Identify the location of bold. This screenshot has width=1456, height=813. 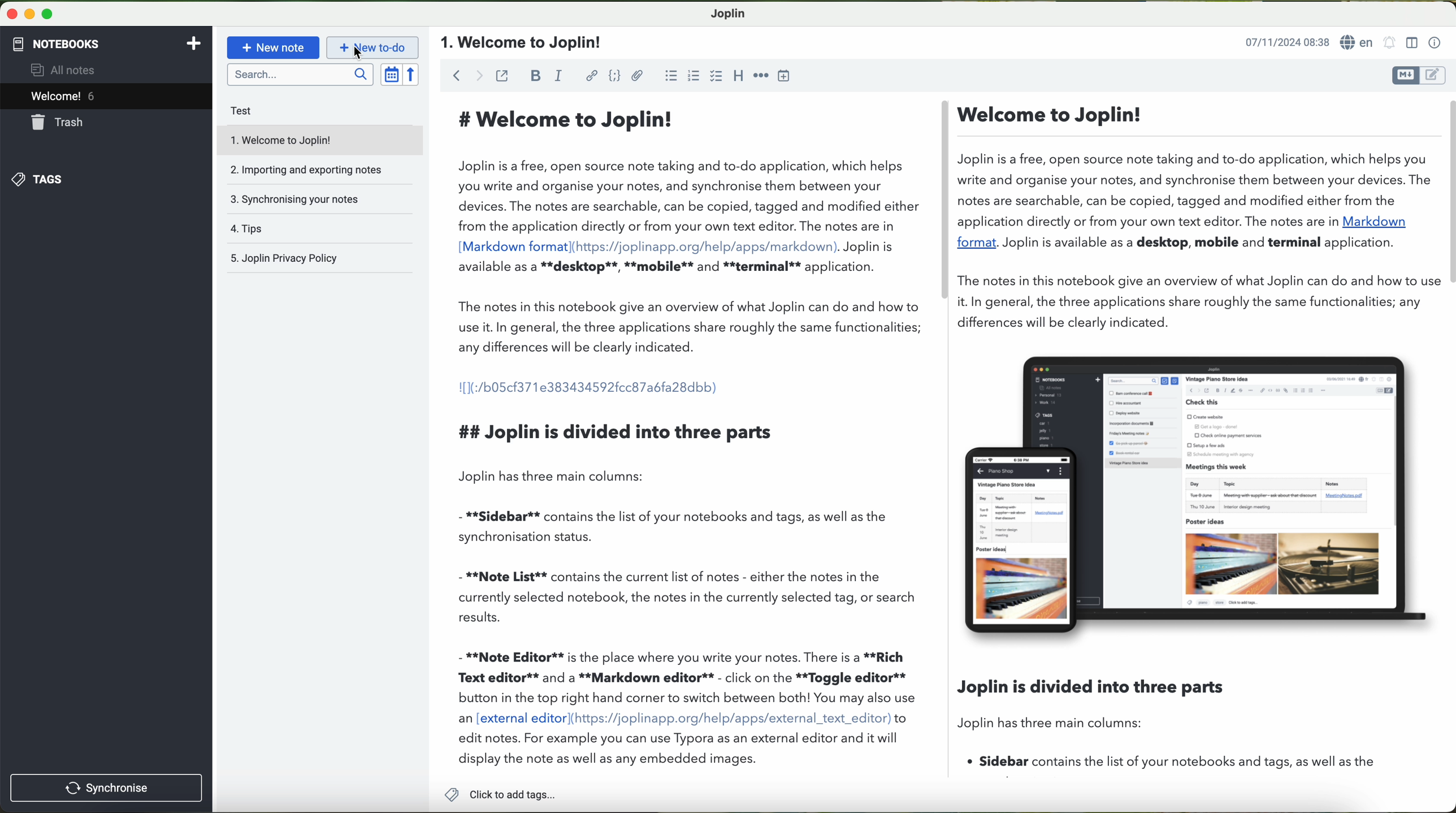
(536, 75).